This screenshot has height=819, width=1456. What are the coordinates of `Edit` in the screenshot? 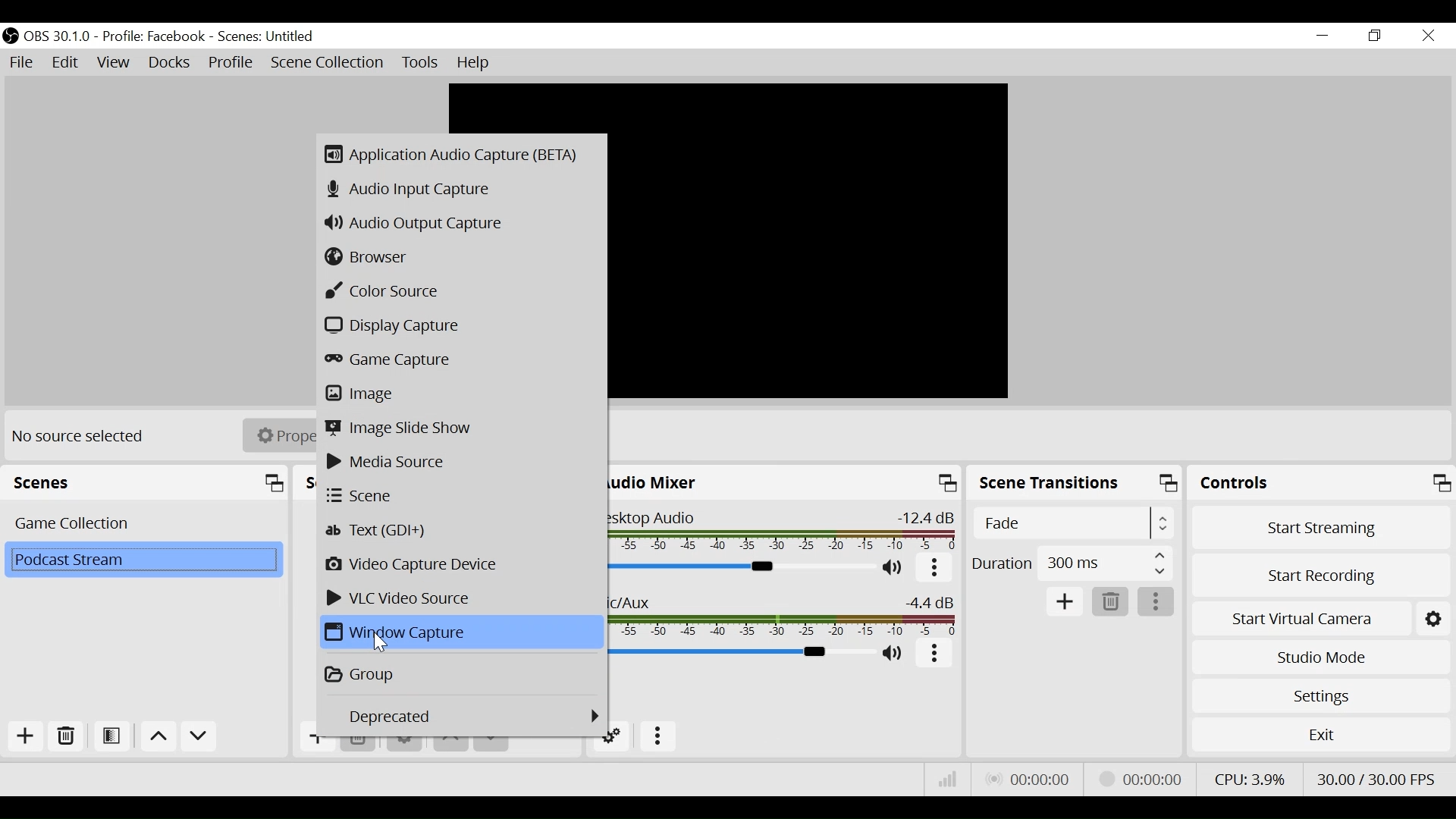 It's located at (65, 63).